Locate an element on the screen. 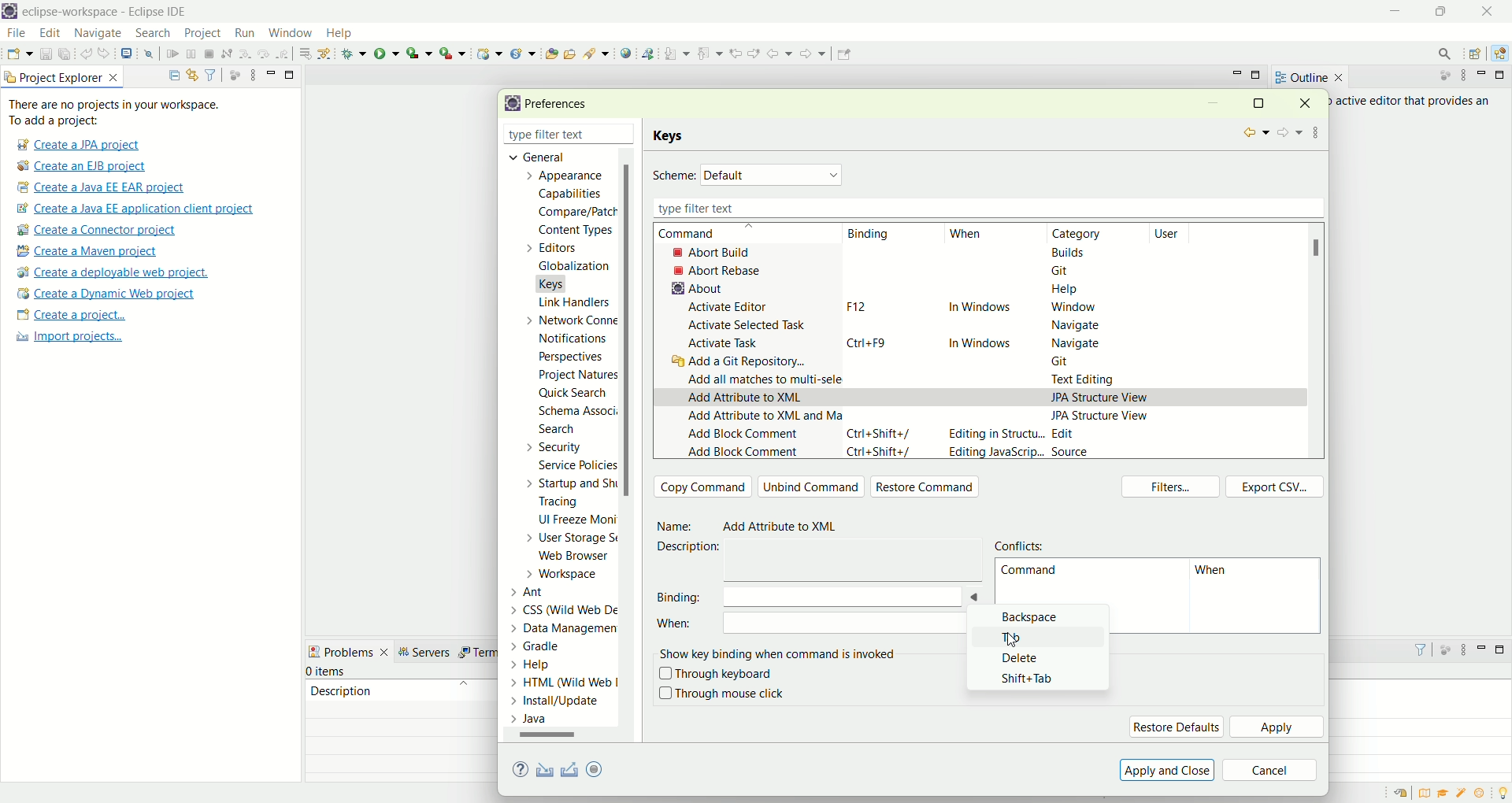  cancel is located at coordinates (1270, 772).